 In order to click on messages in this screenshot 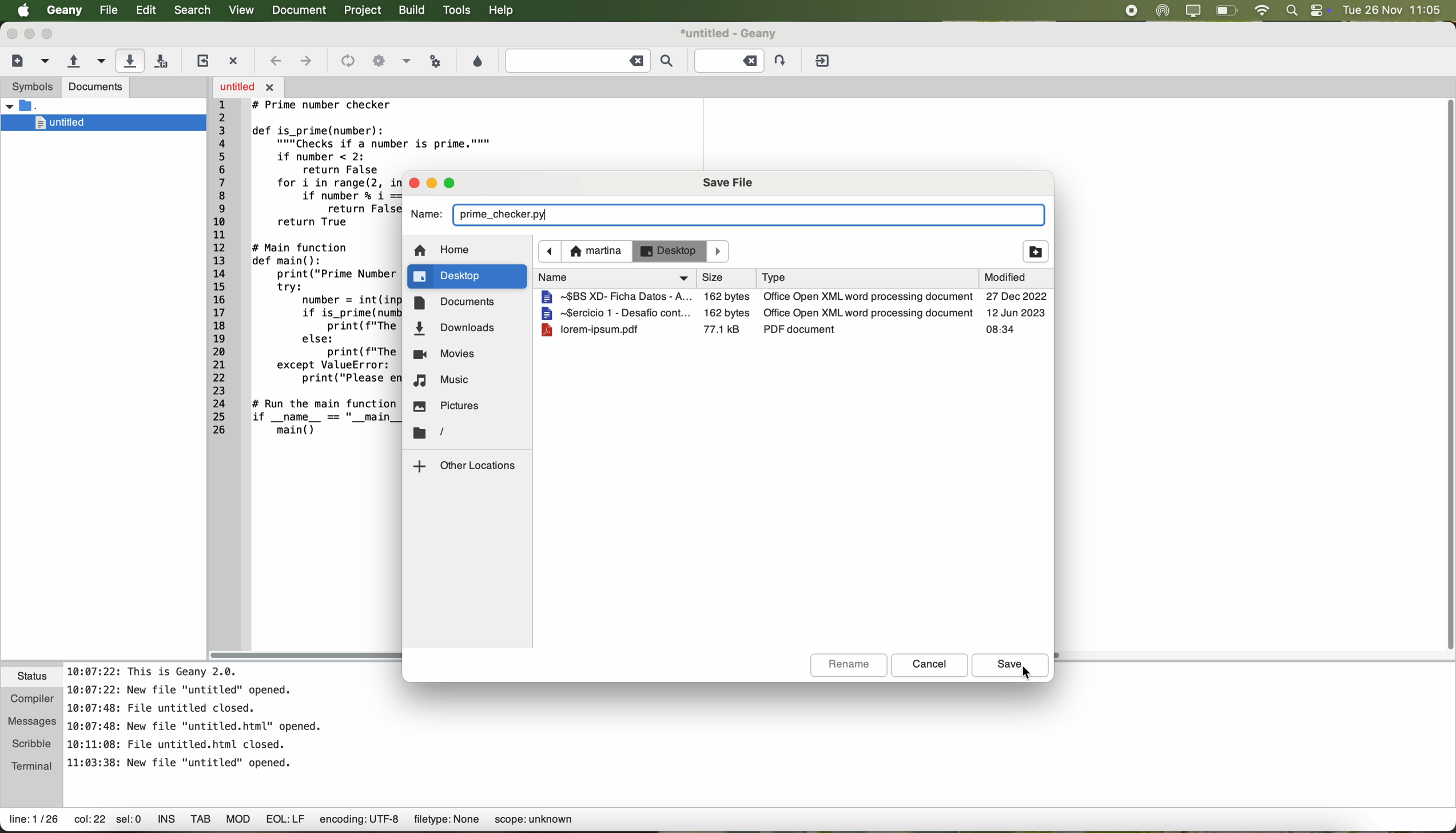, I will do `click(33, 718)`.